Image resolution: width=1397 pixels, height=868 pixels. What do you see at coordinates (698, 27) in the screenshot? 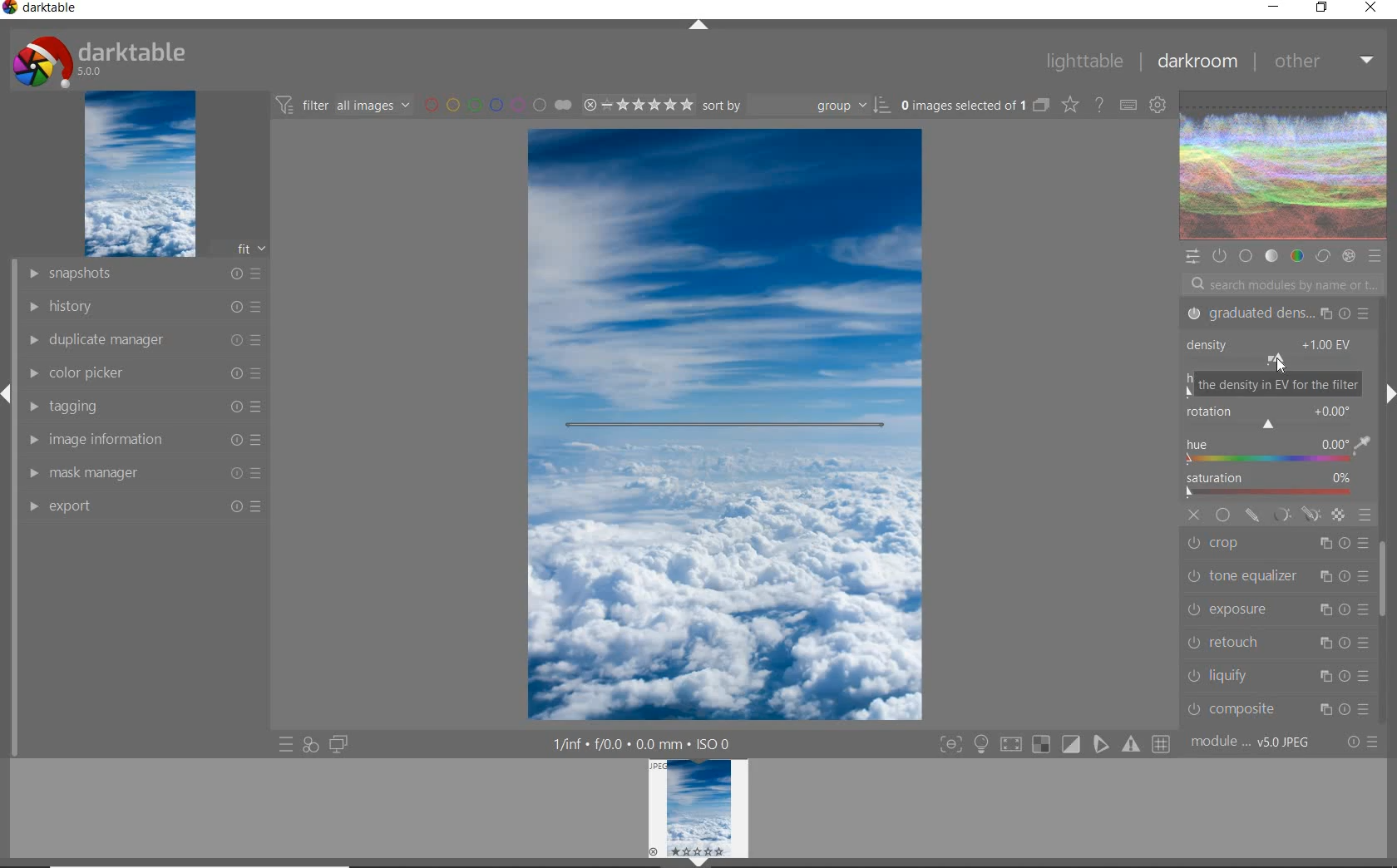
I see `Up` at bounding box center [698, 27].